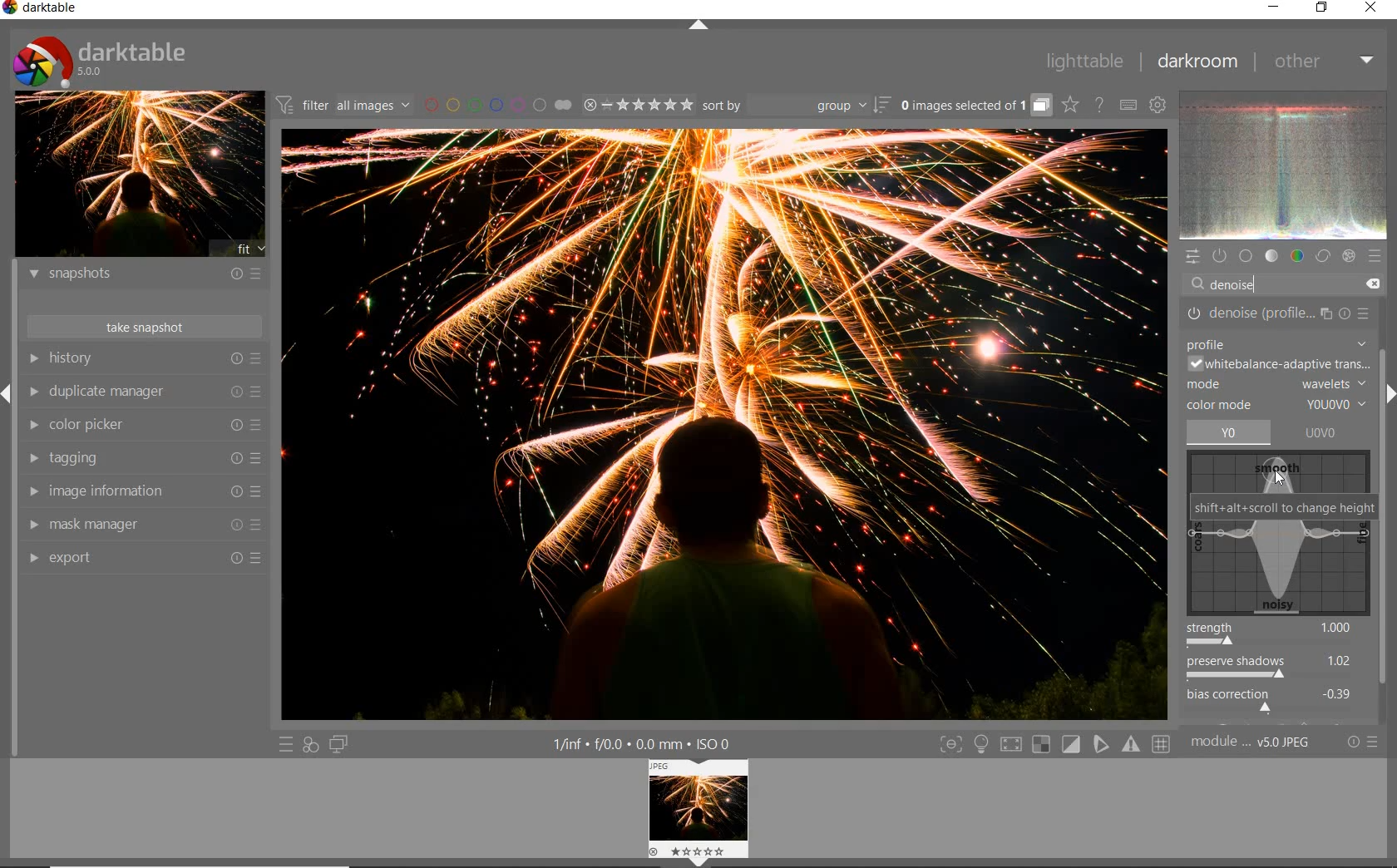  What do you see at coordinates (142, 525) in the screenshot?
I see `mask manager` at bounding box center [142, 525].